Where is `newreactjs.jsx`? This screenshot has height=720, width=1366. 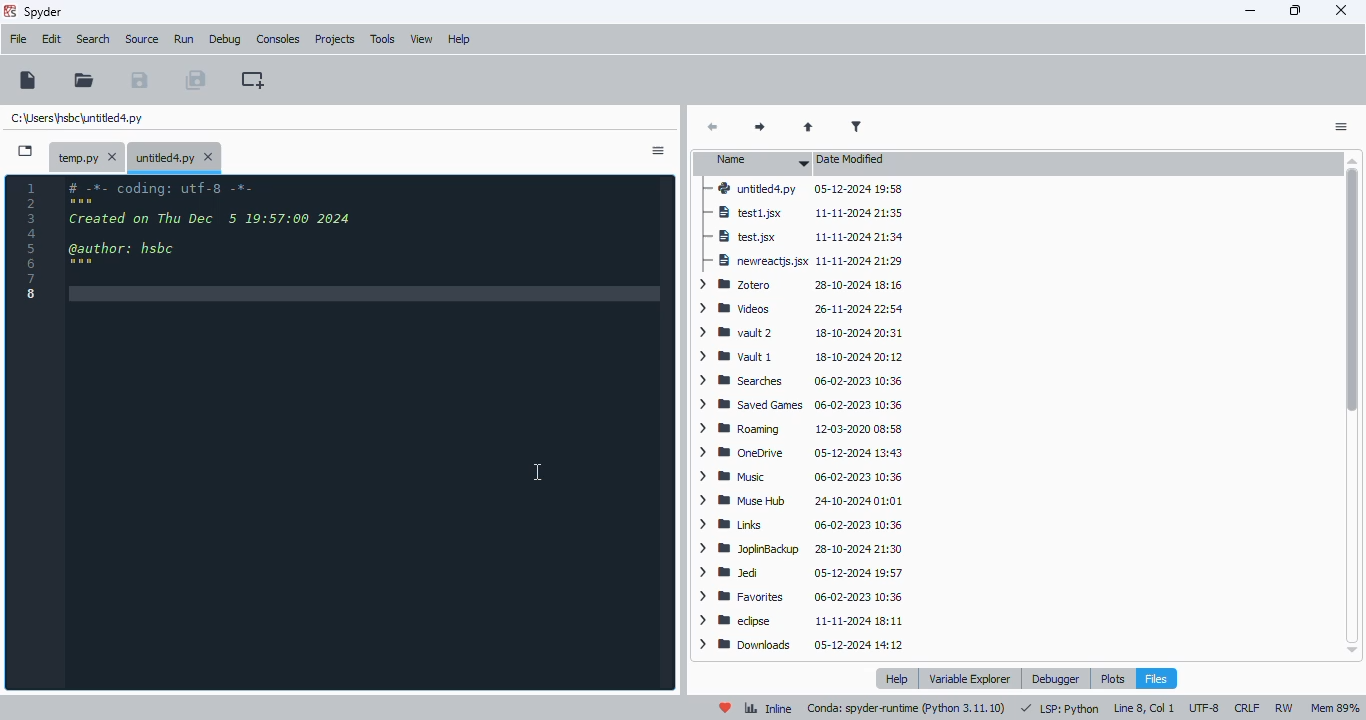
newreactjs.jsx is located at coordinates (757, 261).